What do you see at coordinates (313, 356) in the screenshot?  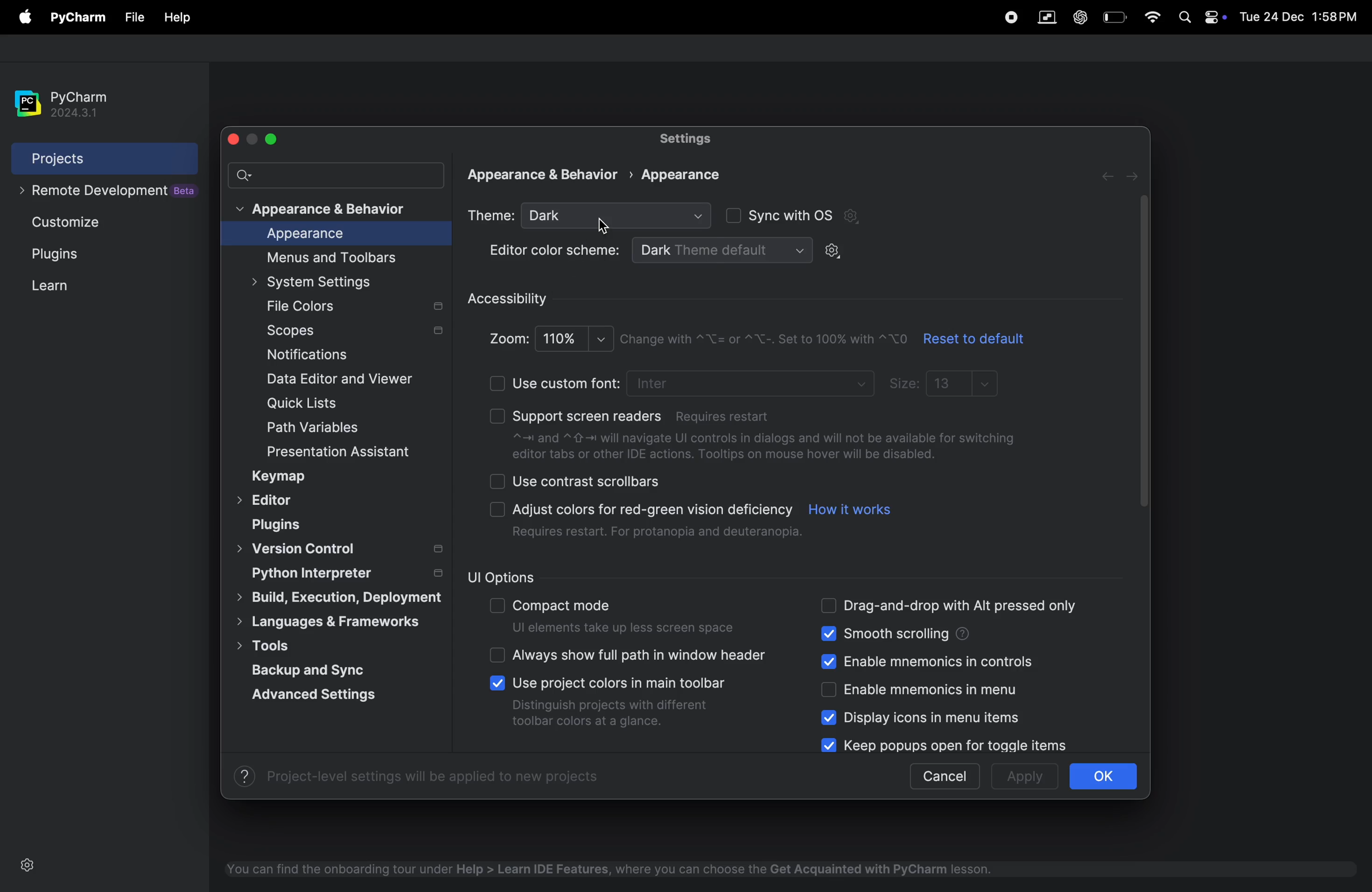 I see `notifications` at bounding box center [313, 356].